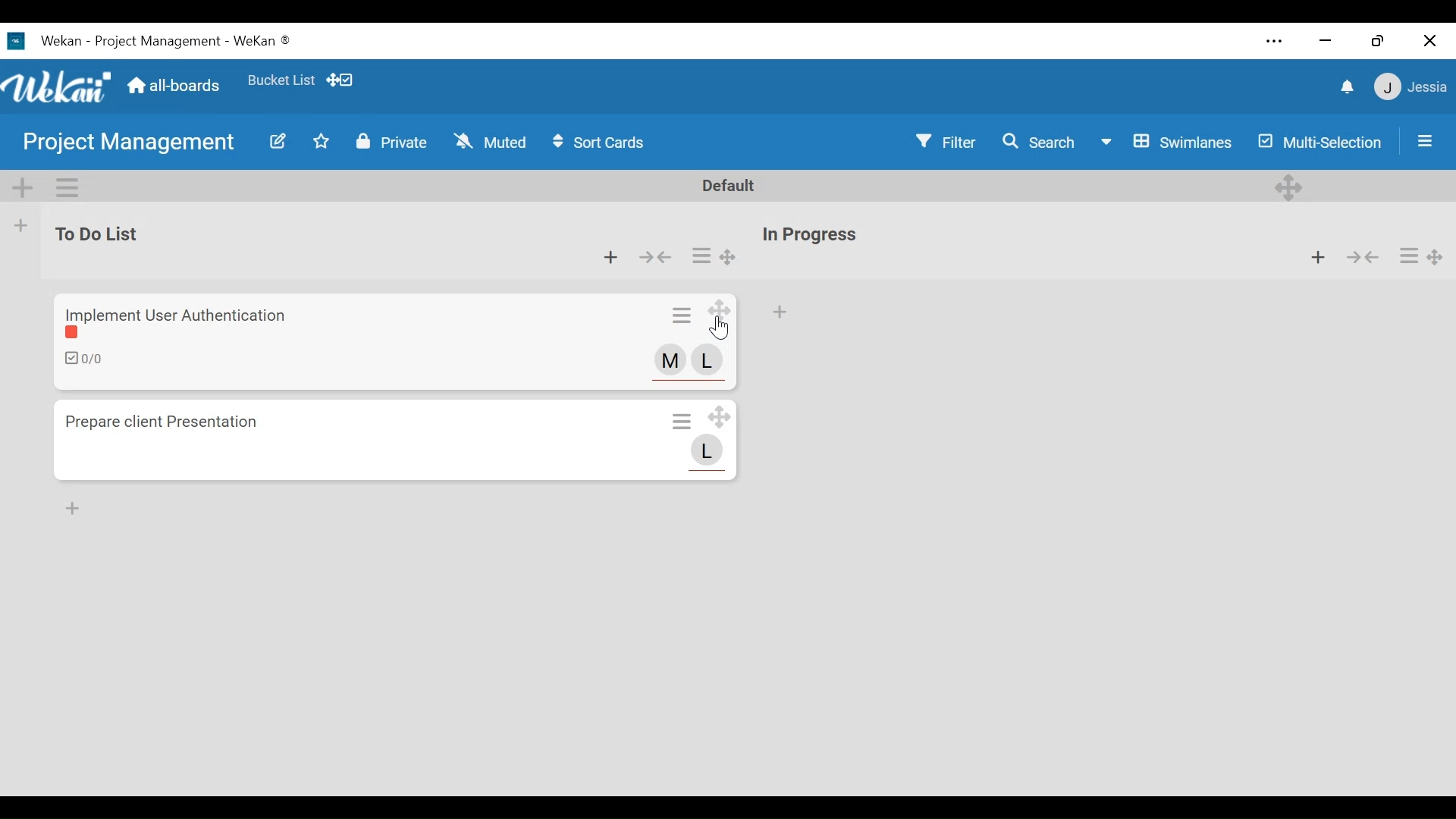 The width and height of the screenshot is (1456, 819). Describe the element at coordinates (99, 234) in the screenshot. I see `list Title` at that location.